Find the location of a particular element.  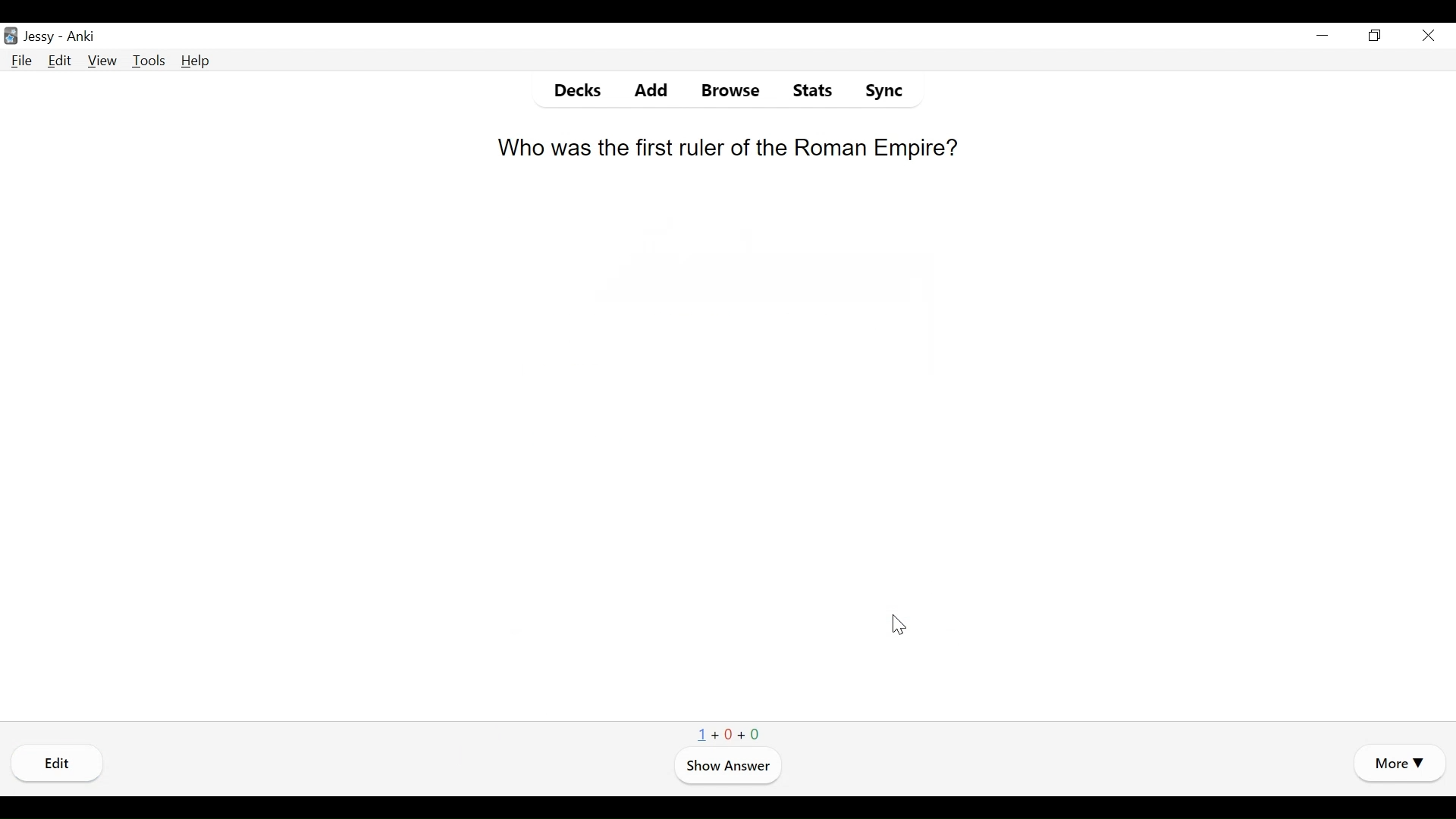

Restore is located at coordinates (1376, 36).